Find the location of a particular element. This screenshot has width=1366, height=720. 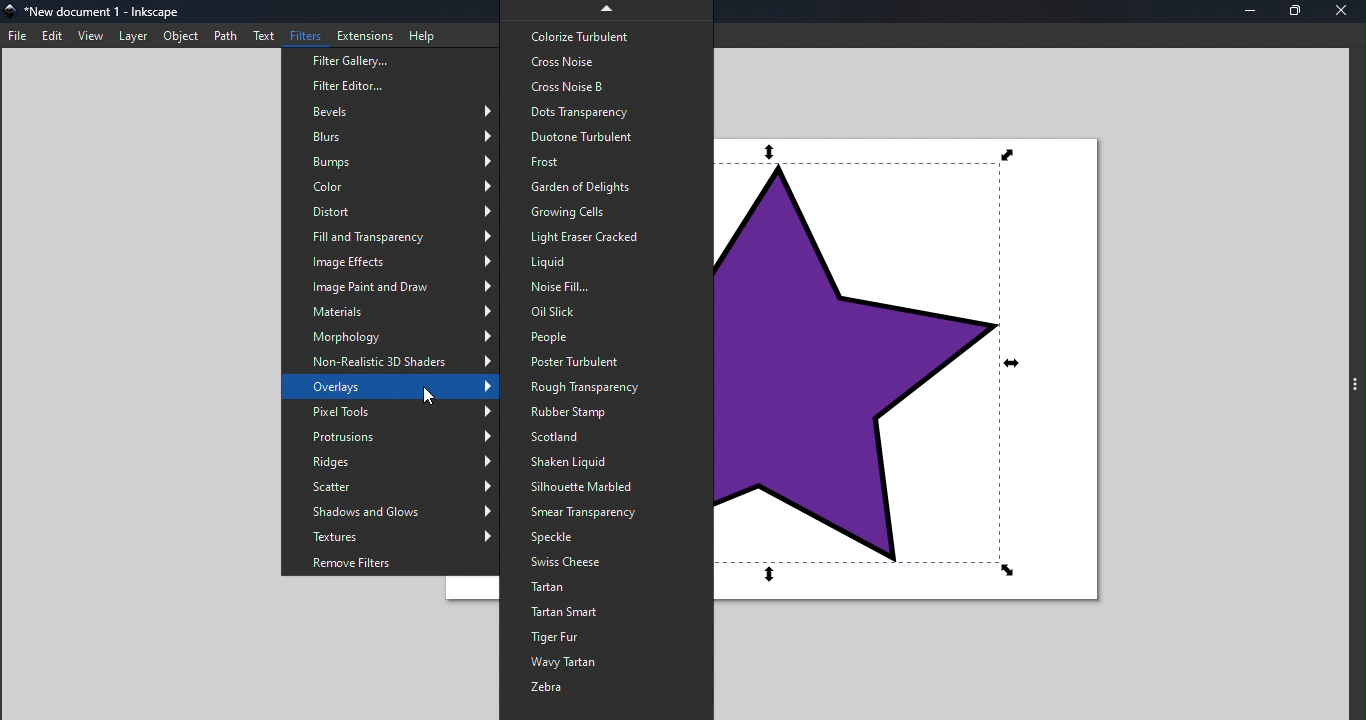

Materials is located at coordinates (391, 313).